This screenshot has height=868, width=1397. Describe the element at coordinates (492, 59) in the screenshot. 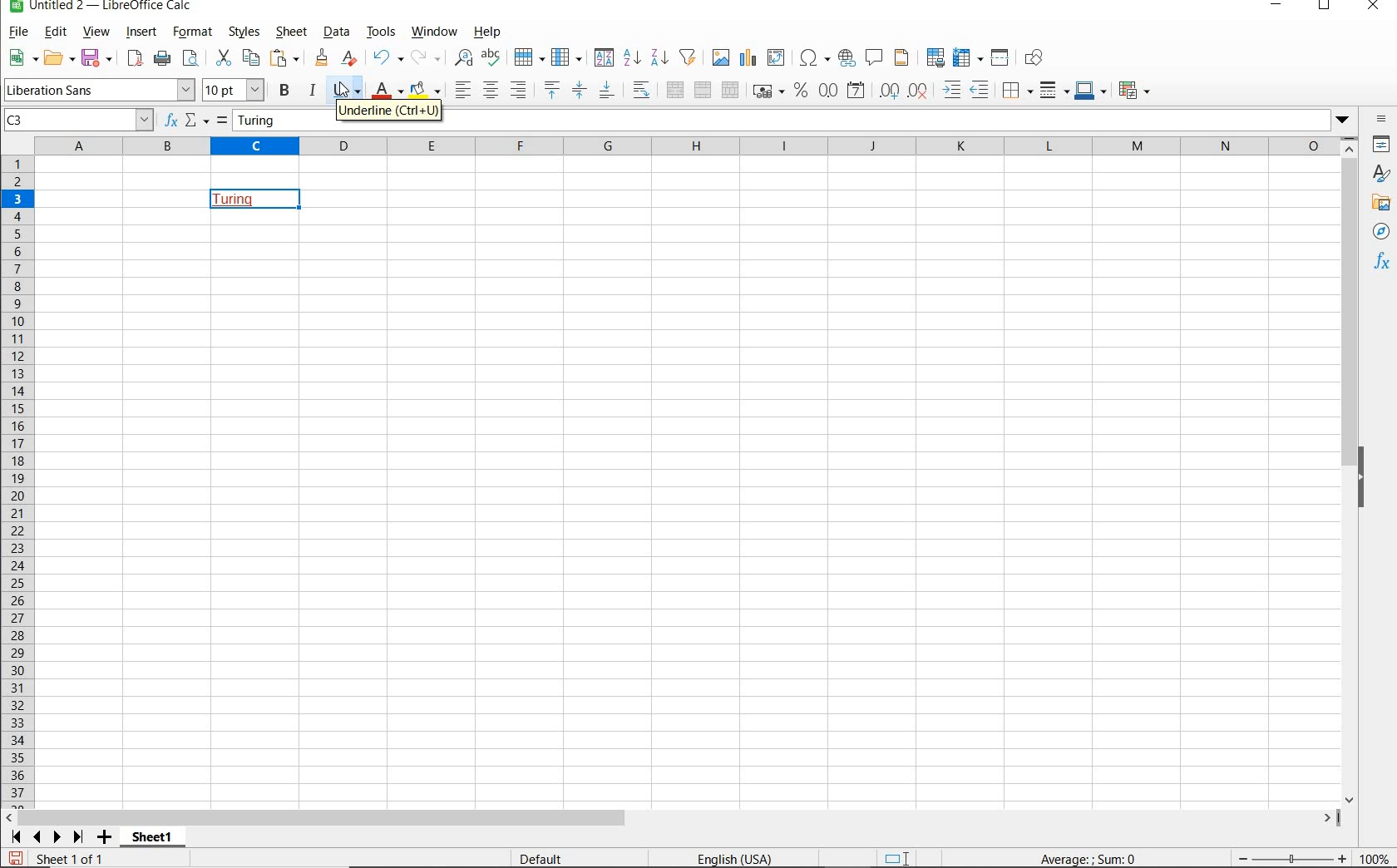

I see `SPELLING` at that location.